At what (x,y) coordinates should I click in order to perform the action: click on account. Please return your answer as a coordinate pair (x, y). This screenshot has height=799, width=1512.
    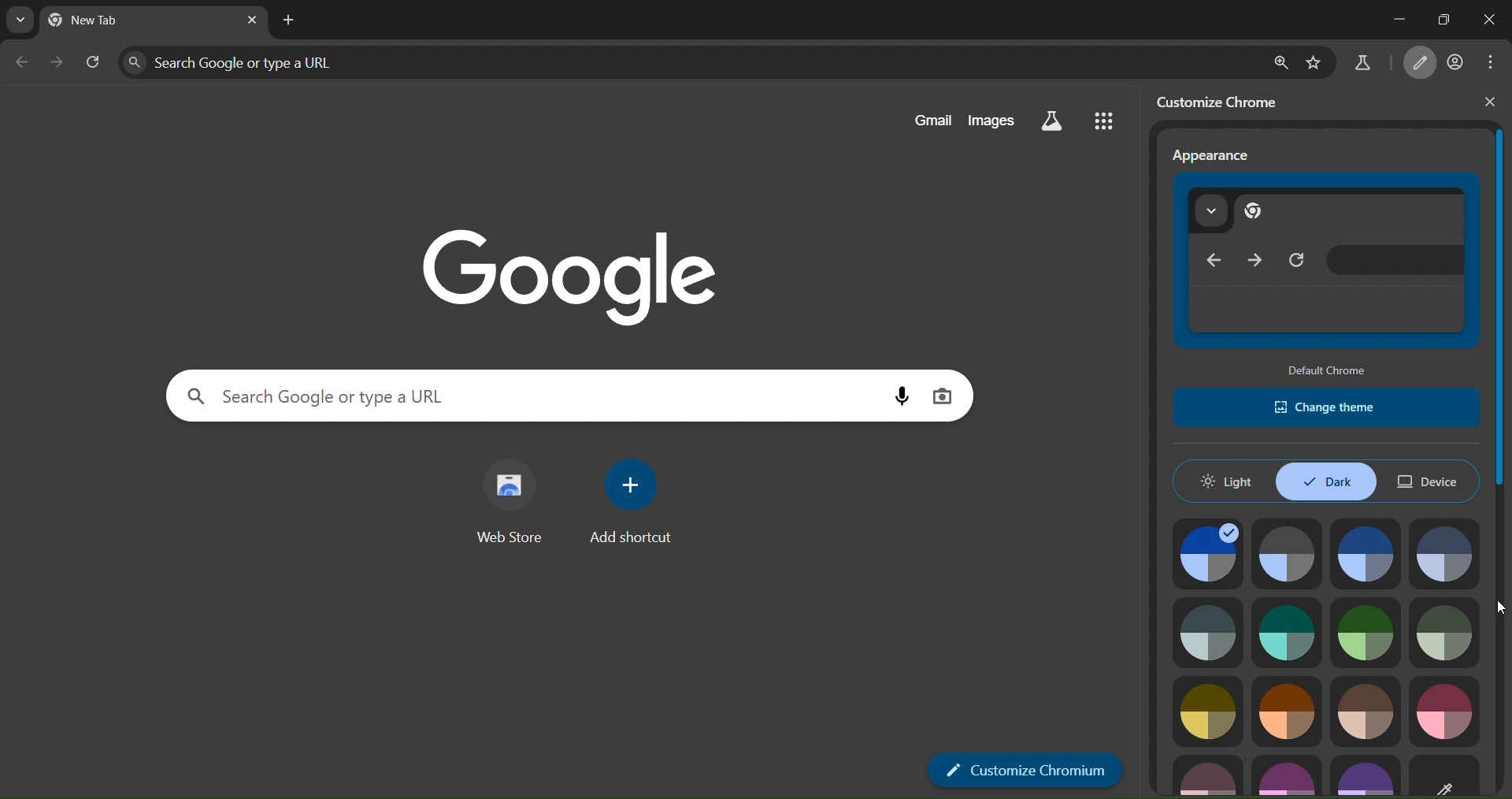
    Looking at the image, I should click on (1457, 61).